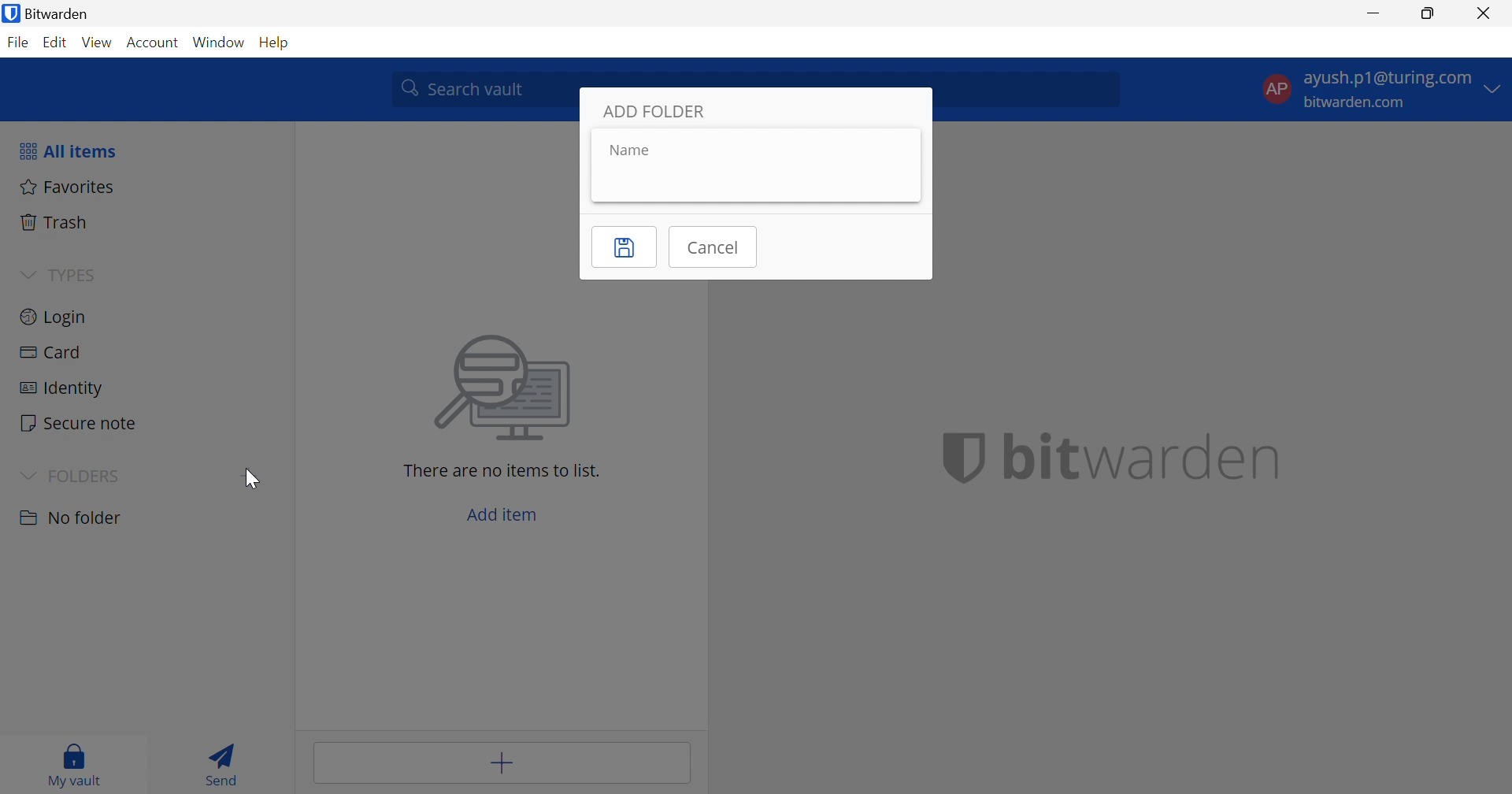 Image resolution: width=1512 pixels, height=794 pixels. I want to click on My vault, so click(70, 765).